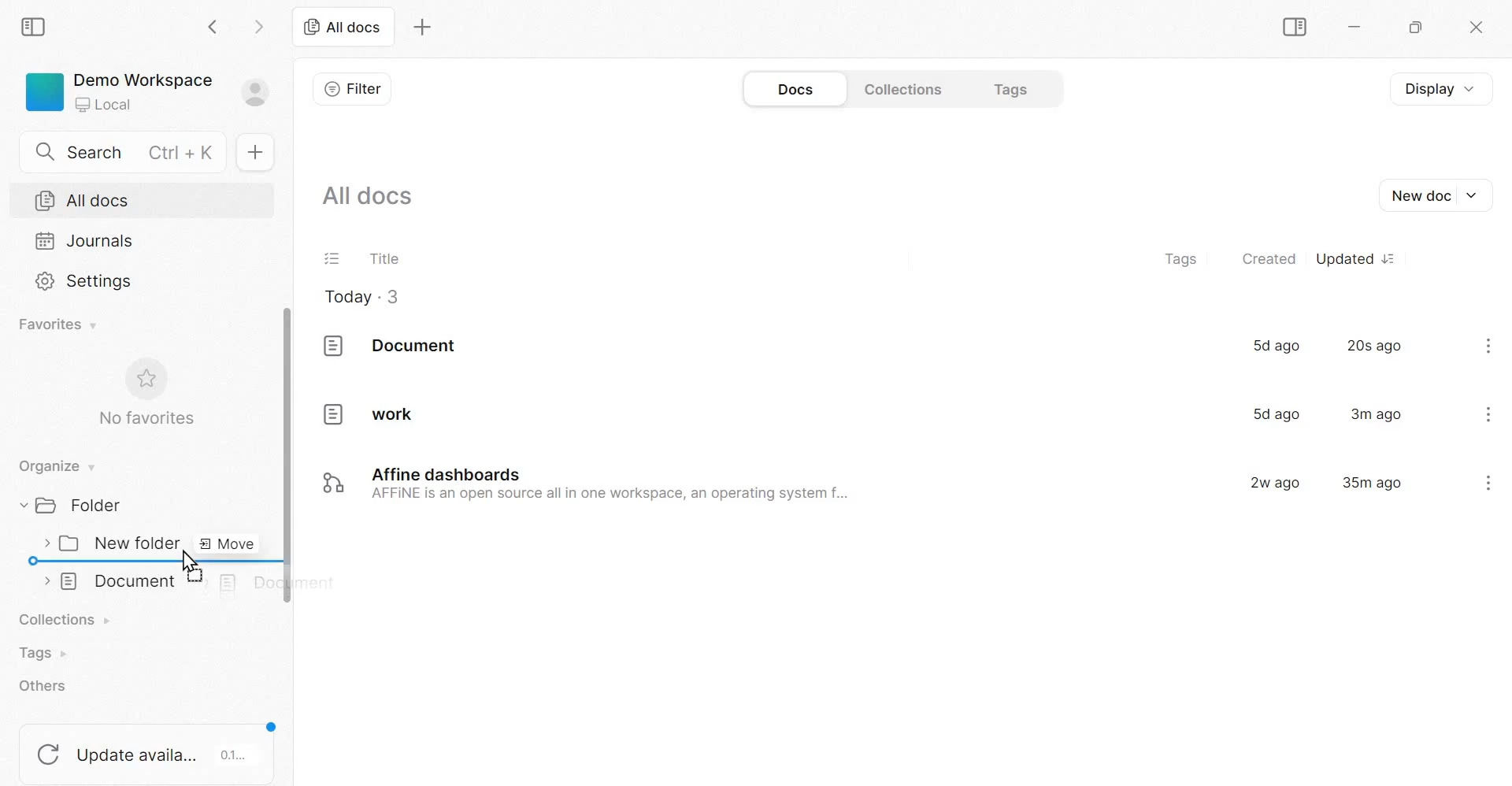 The image size is (1512, 786). Describe the element at coordinates (37, 26) in the screenshot. I see `Sidebar Toggle` at that location.